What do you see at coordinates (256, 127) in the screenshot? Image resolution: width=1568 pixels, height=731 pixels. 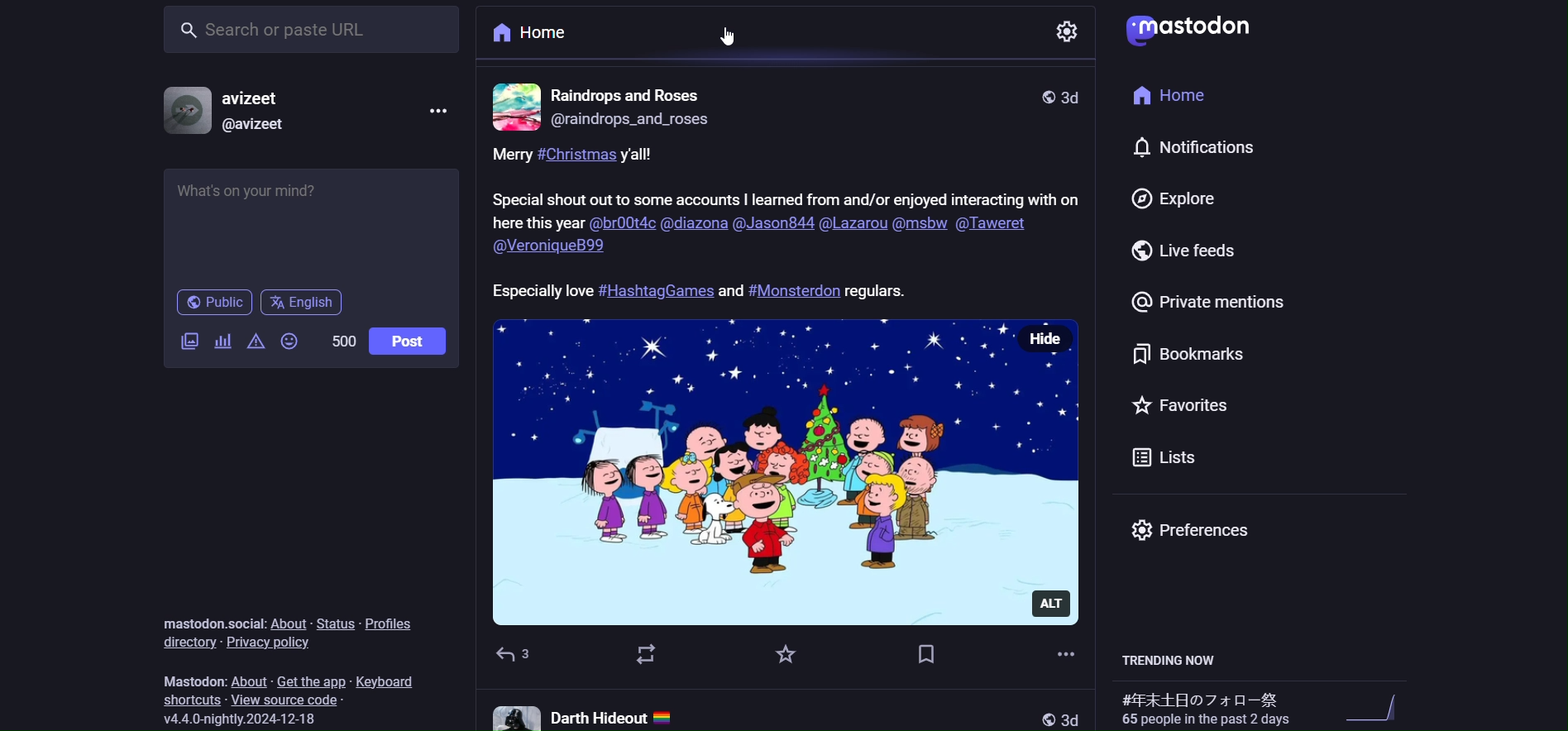 I see `id` at bounding box center [256, 127].